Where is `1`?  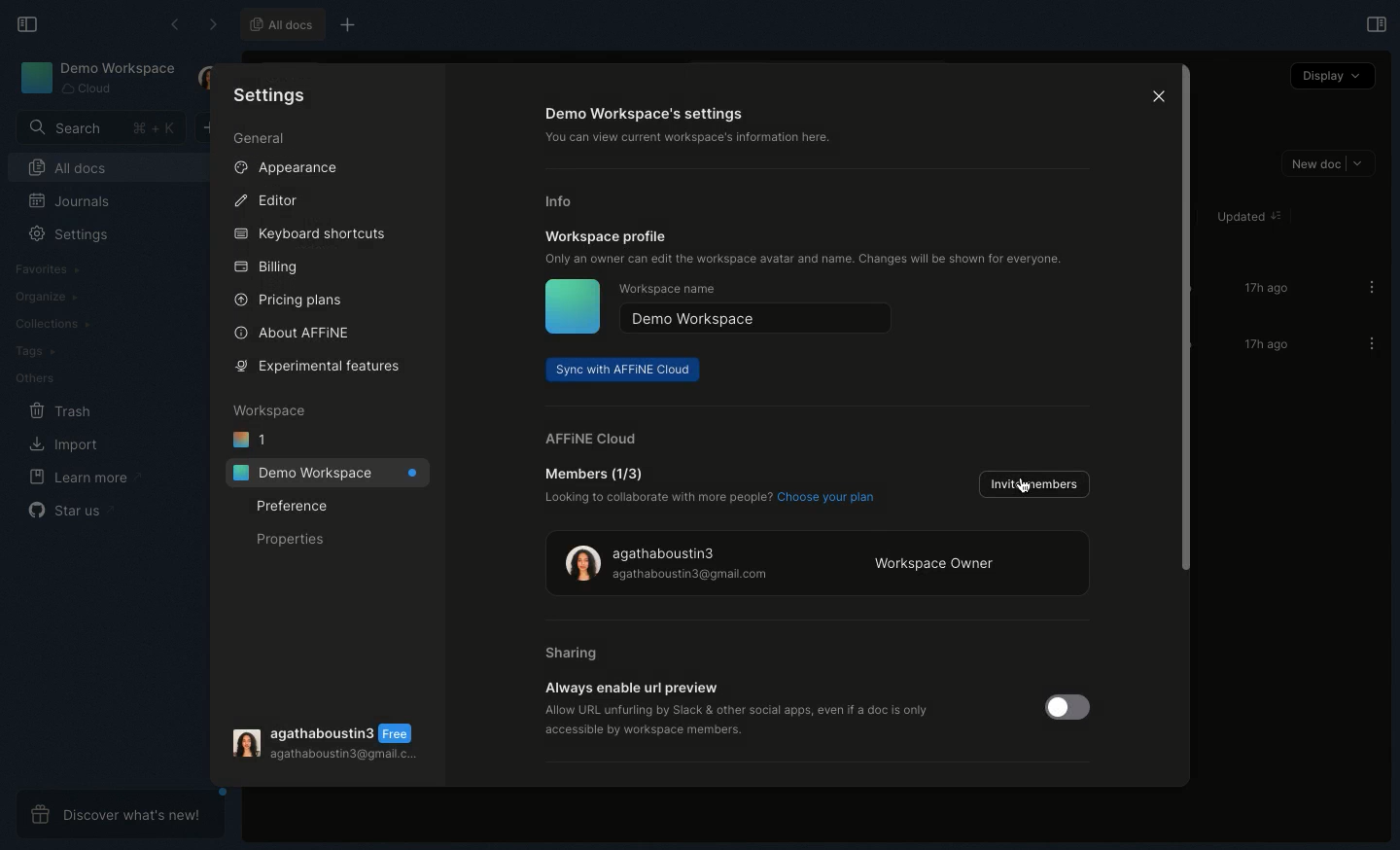
1 is located at coordinates (251, 441).